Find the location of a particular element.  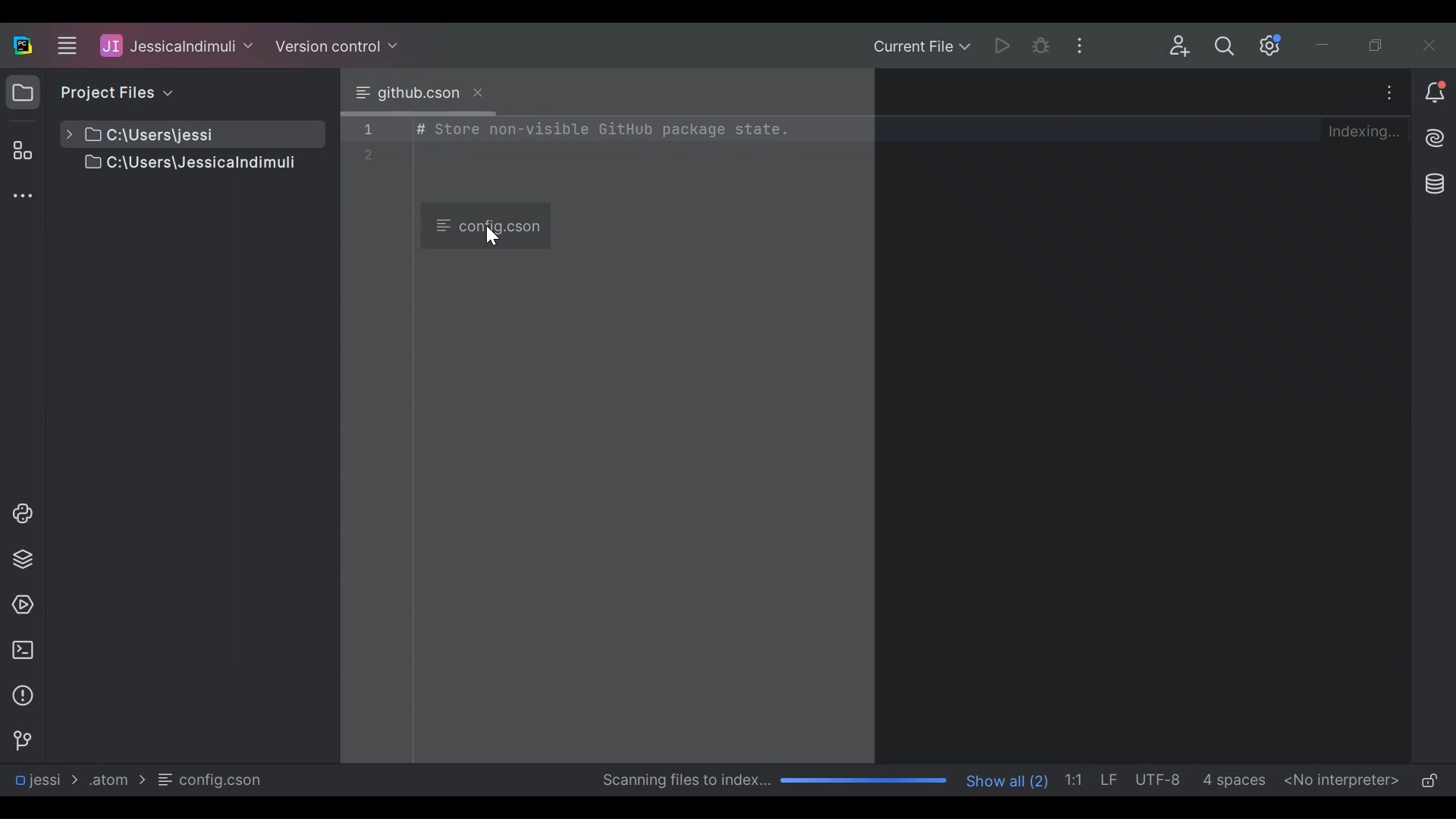

Line Separator is located at coordinates (1111, 780).